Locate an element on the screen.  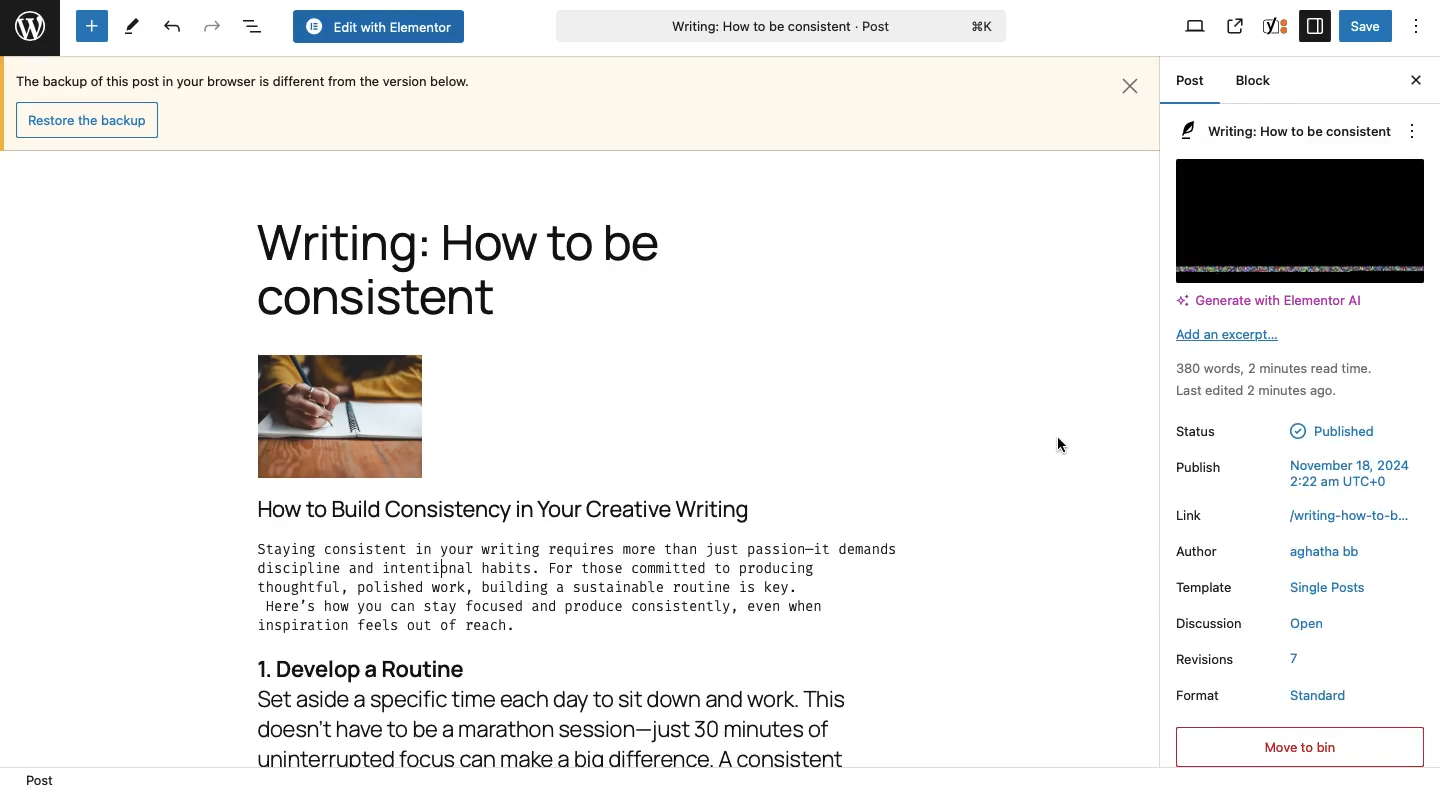
Add new block is located at coordinates (92, 26).